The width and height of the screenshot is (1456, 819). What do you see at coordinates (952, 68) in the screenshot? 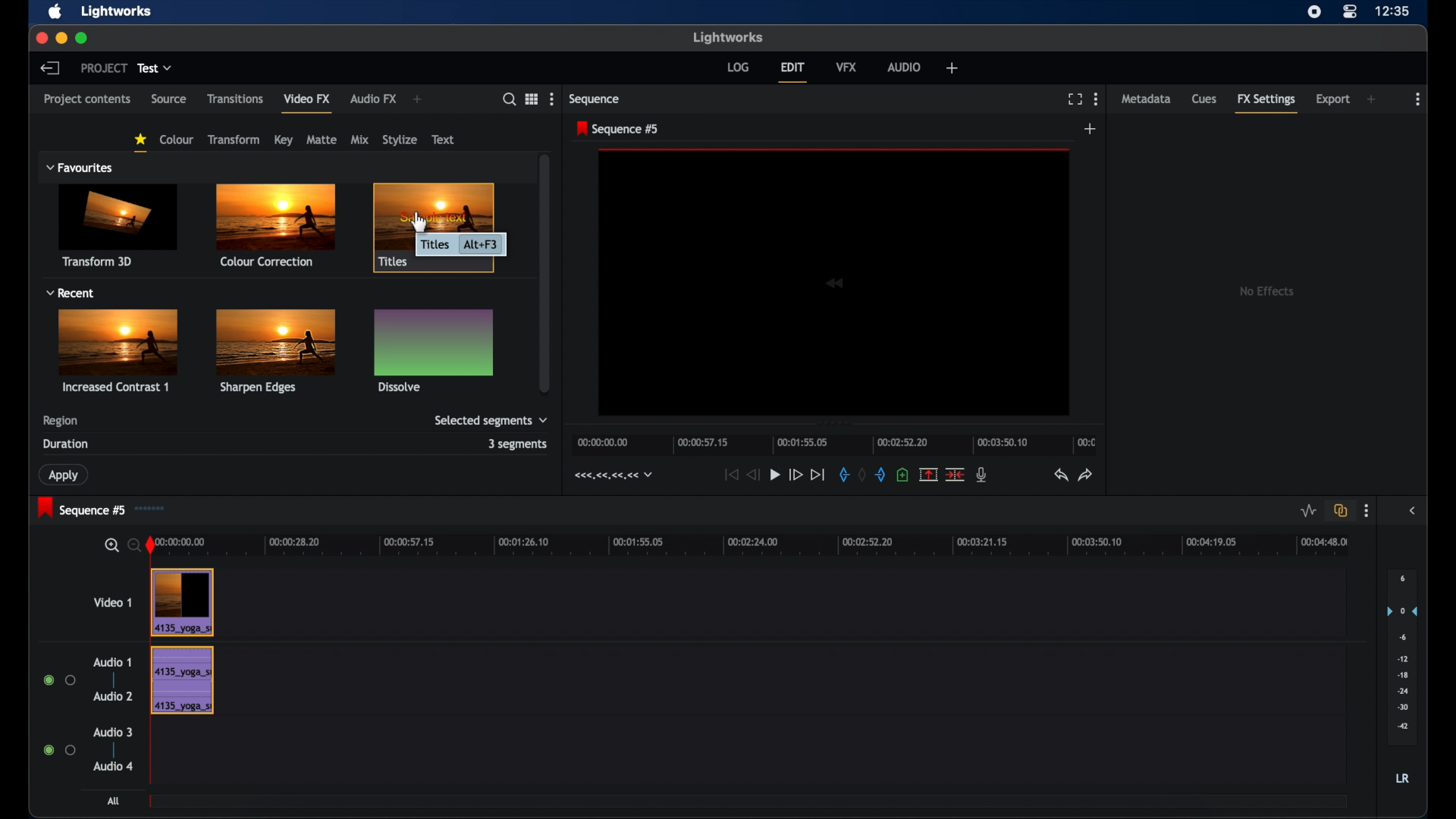
I see `add` at bounding box center [952, 68].